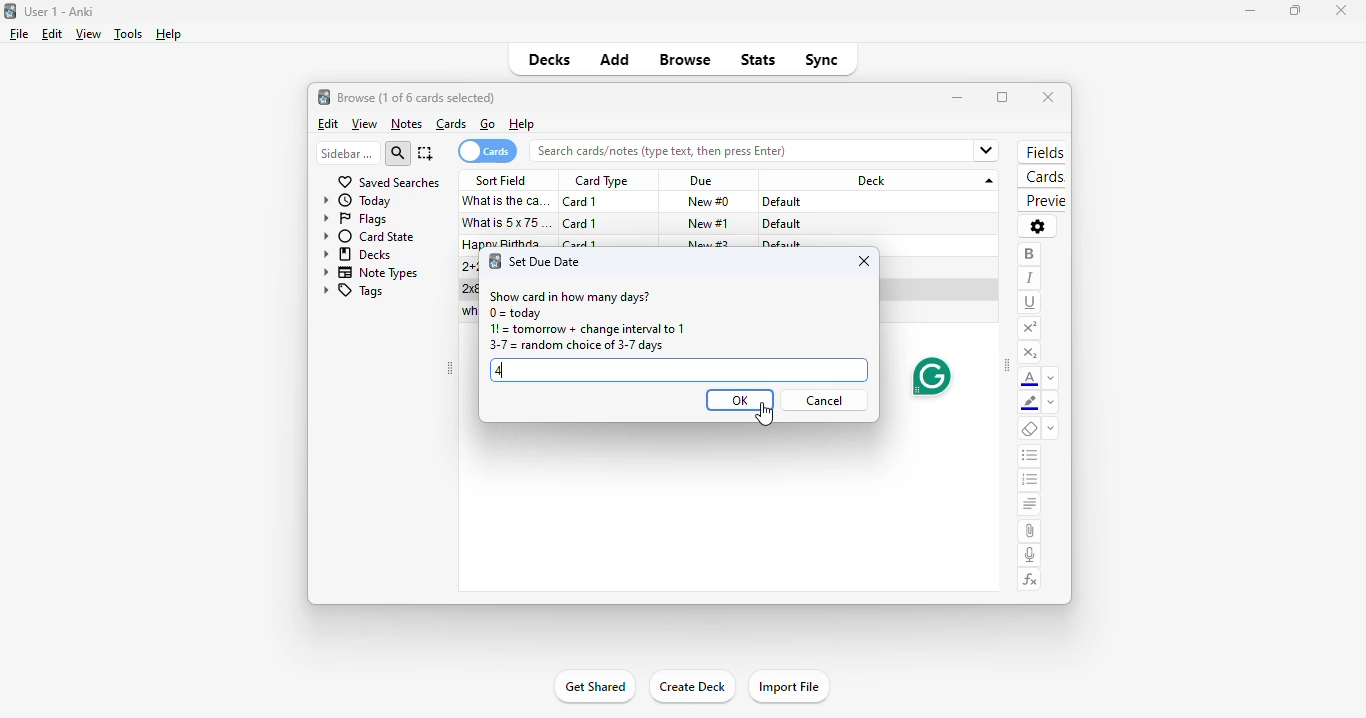 The width and height of the screenshot is (1366, 718). I want to click on cursor, so click(764, 414).